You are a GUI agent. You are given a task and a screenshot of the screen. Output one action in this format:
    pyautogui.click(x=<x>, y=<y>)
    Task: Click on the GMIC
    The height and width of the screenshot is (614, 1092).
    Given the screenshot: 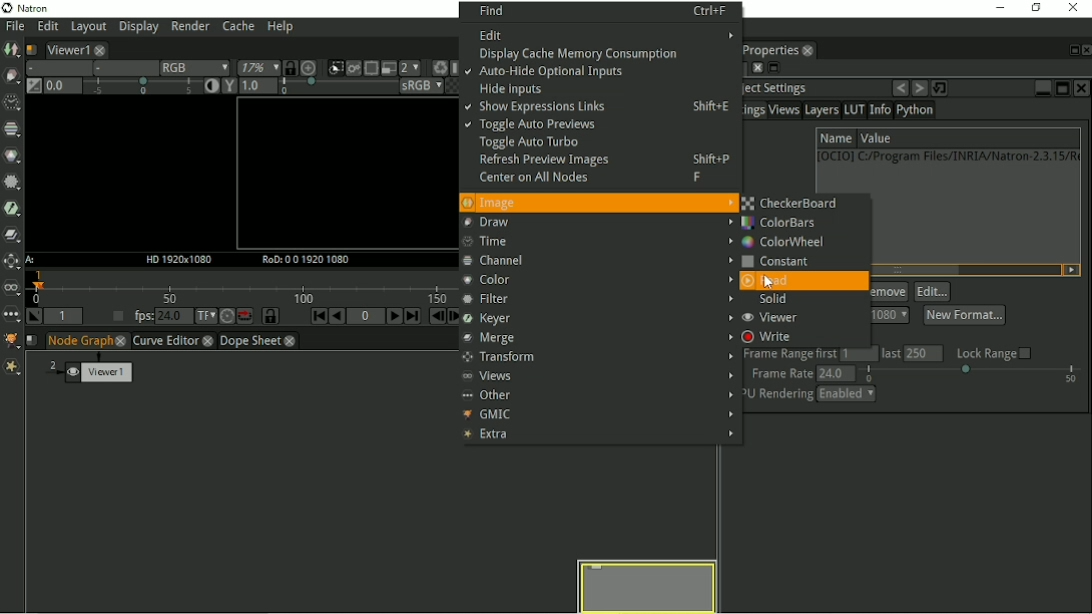 What is the action you would take?
    pyautogui.click(x=599, y=414)
    